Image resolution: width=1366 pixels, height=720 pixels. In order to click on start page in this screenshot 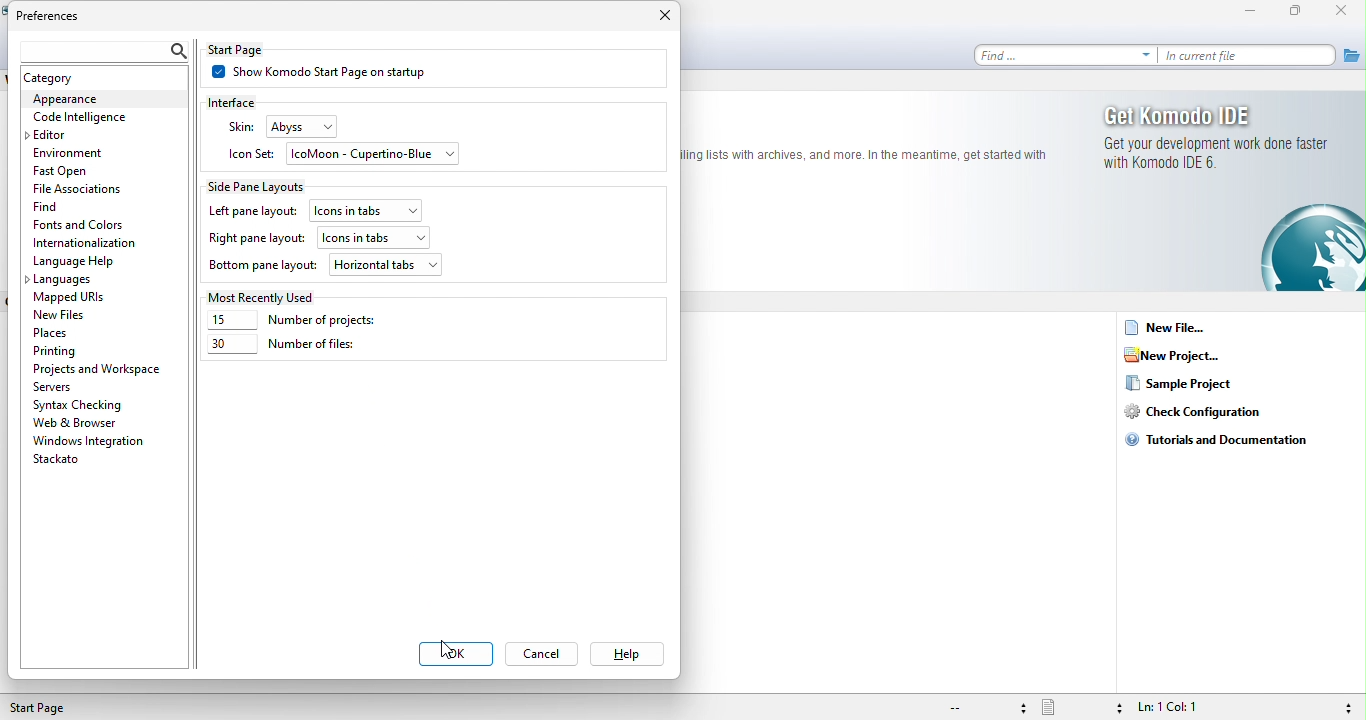, I will do `click(48, 708)`.